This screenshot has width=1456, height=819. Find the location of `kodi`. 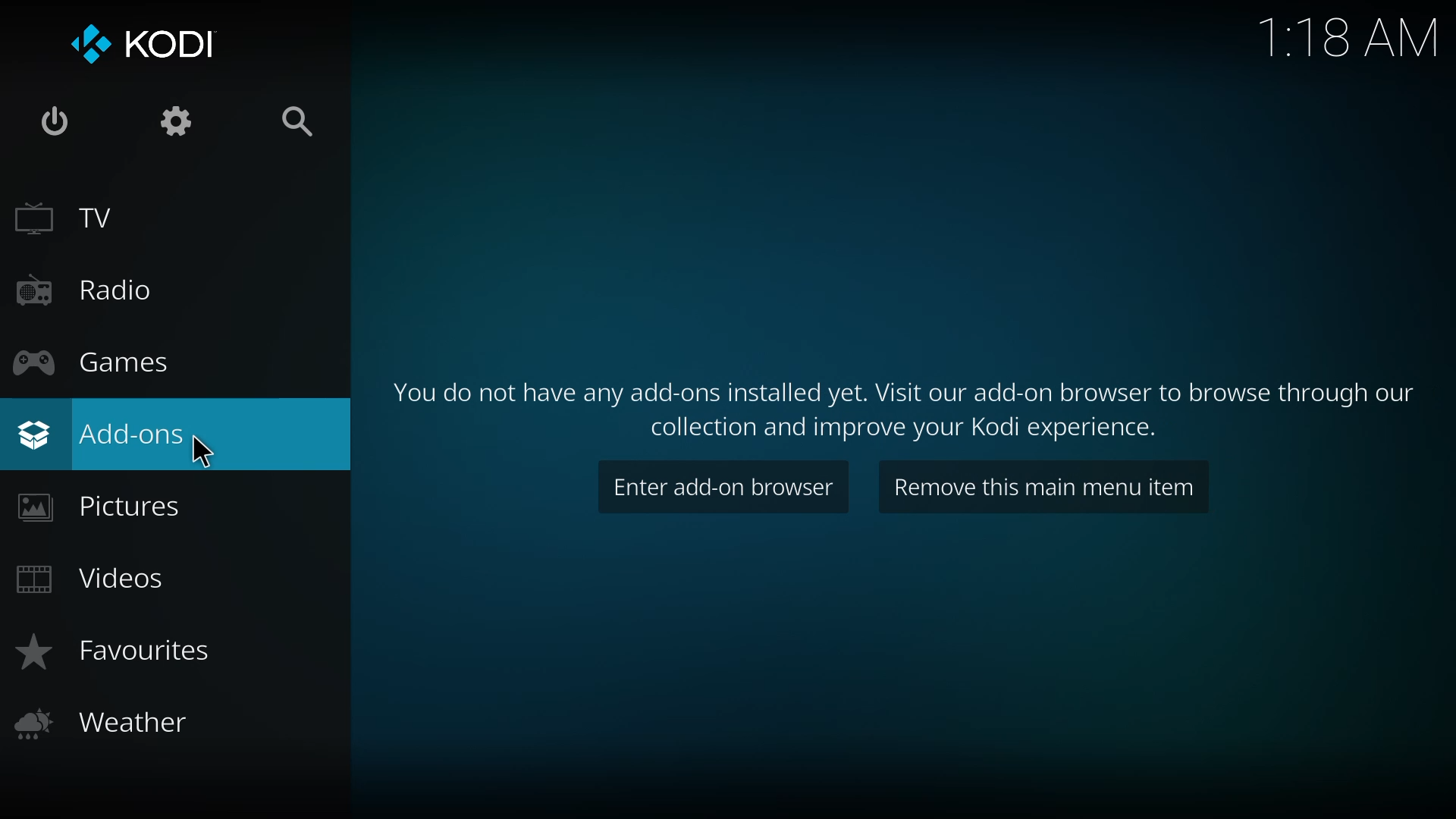

kodi is located at coordinates (153, 42).